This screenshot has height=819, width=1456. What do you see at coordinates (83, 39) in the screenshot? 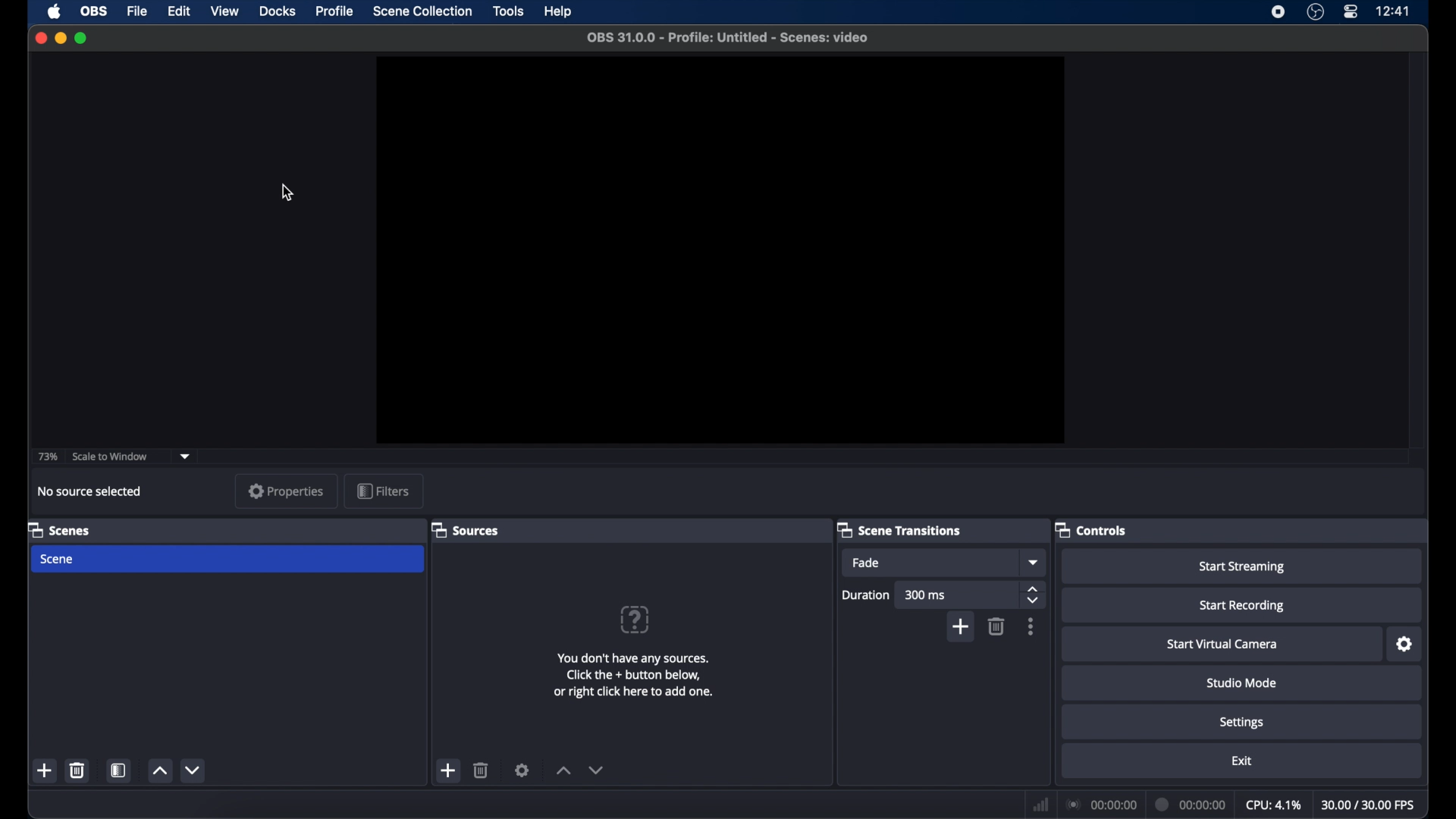
I see `maximize` at bounding box center [83, 39].